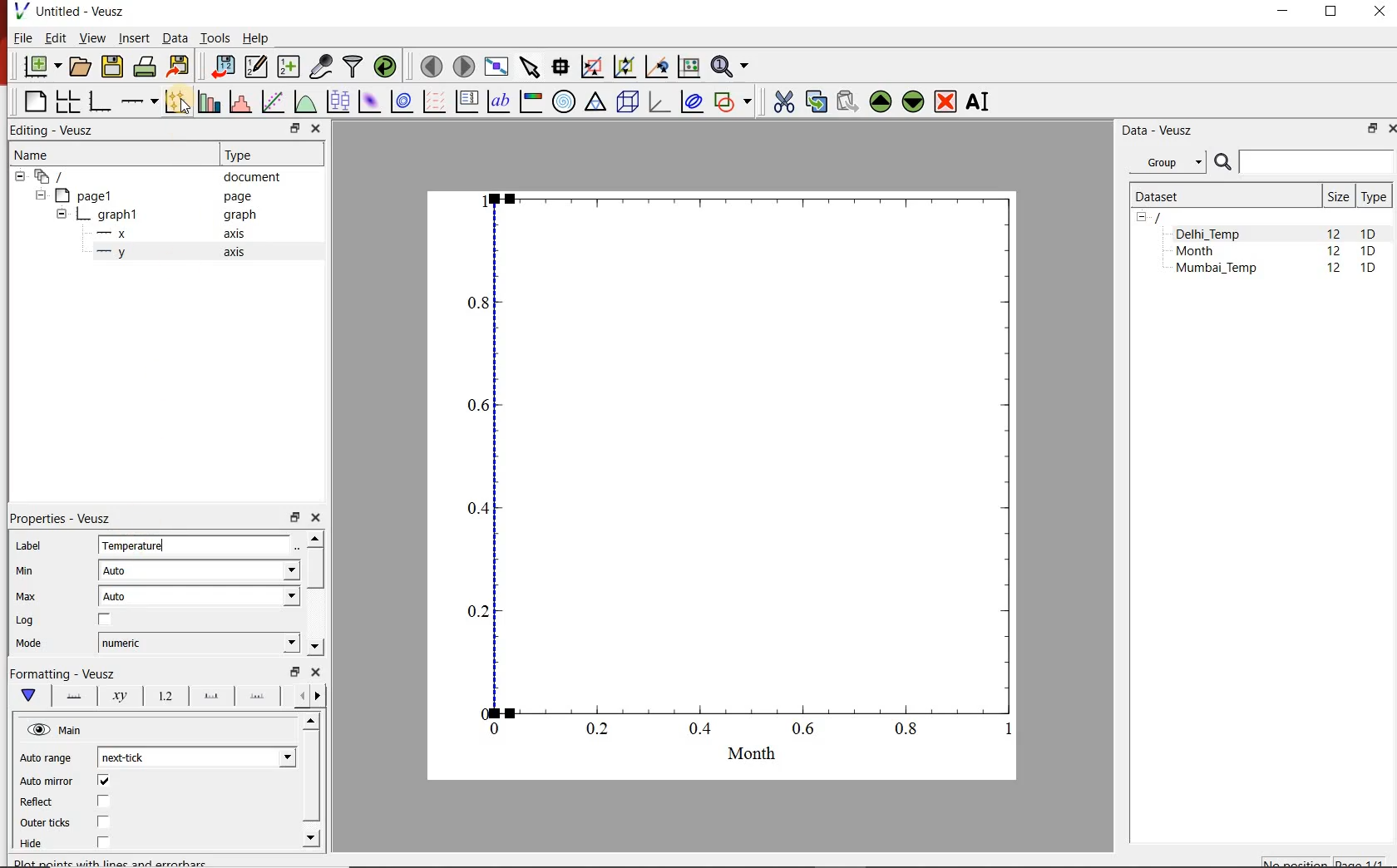 This screenshot has height=868, width=1397. What do you see at coordinates (913, 102) in the screenshot?
I see `move the selected widget down` at bounding box center [913, 102].